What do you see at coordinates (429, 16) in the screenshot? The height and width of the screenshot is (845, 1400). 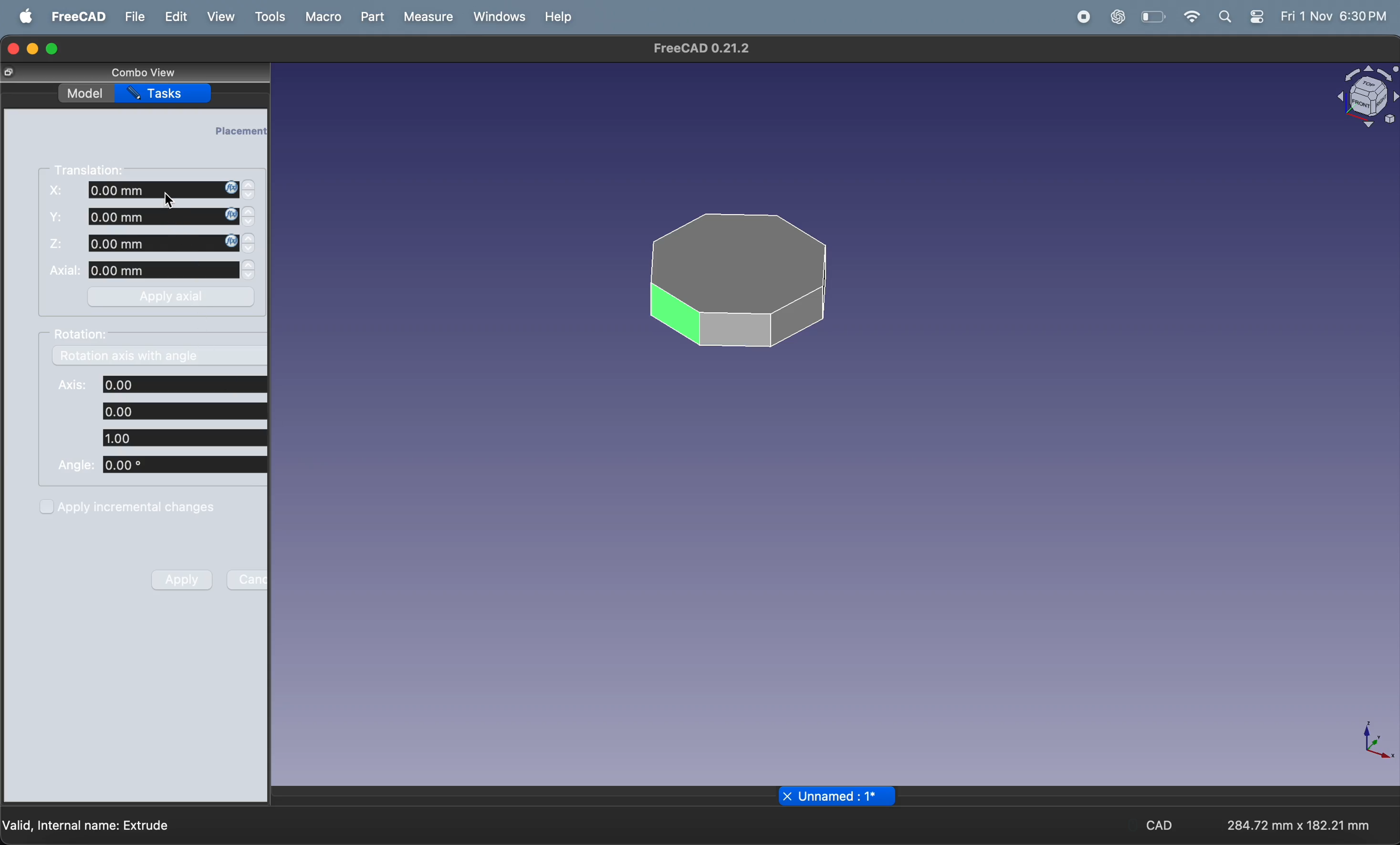 I see `measure` at bounding box center [429, 16].